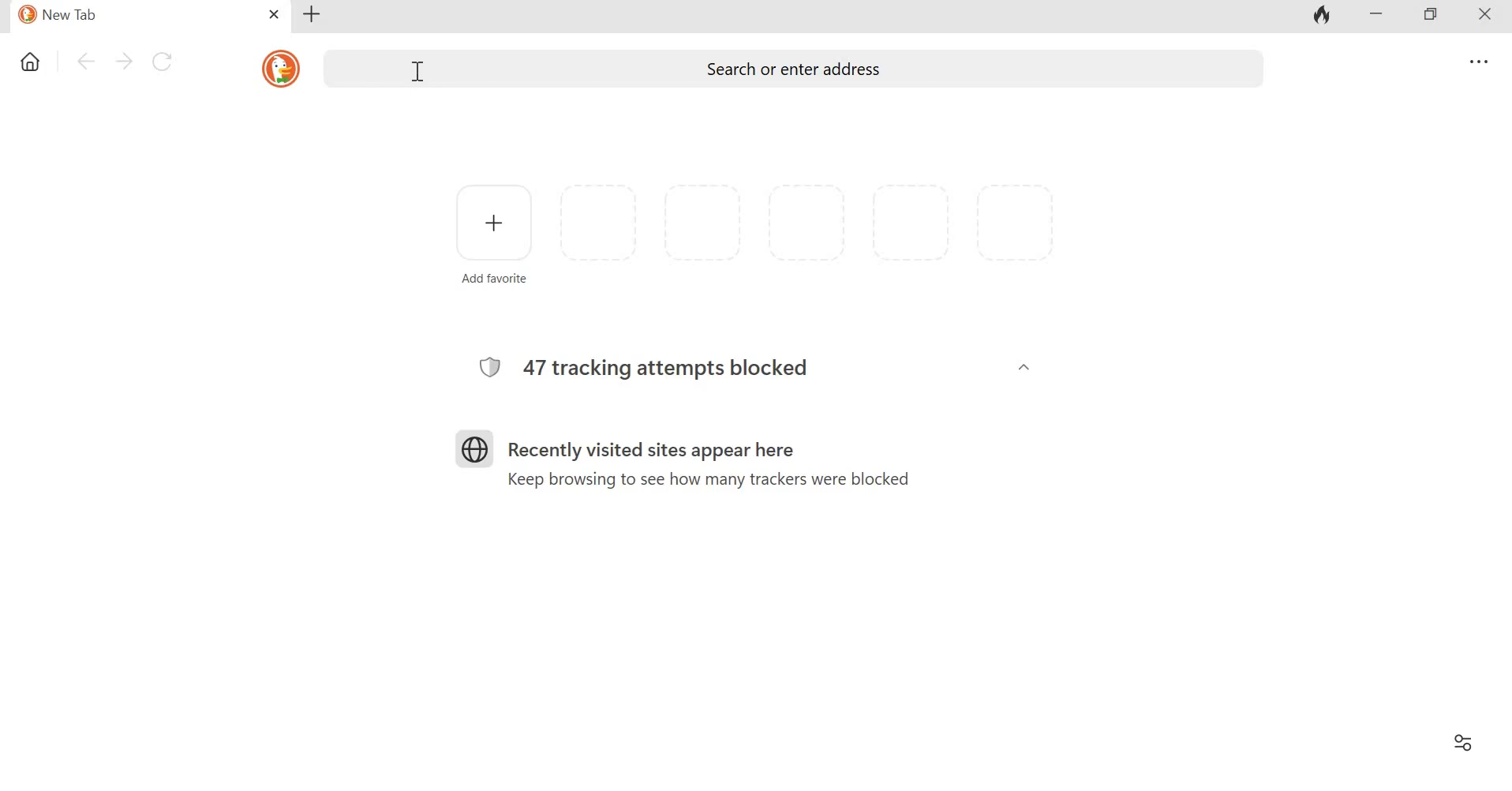  I want to click on Recently visited sites appear here, so click(663, 451).